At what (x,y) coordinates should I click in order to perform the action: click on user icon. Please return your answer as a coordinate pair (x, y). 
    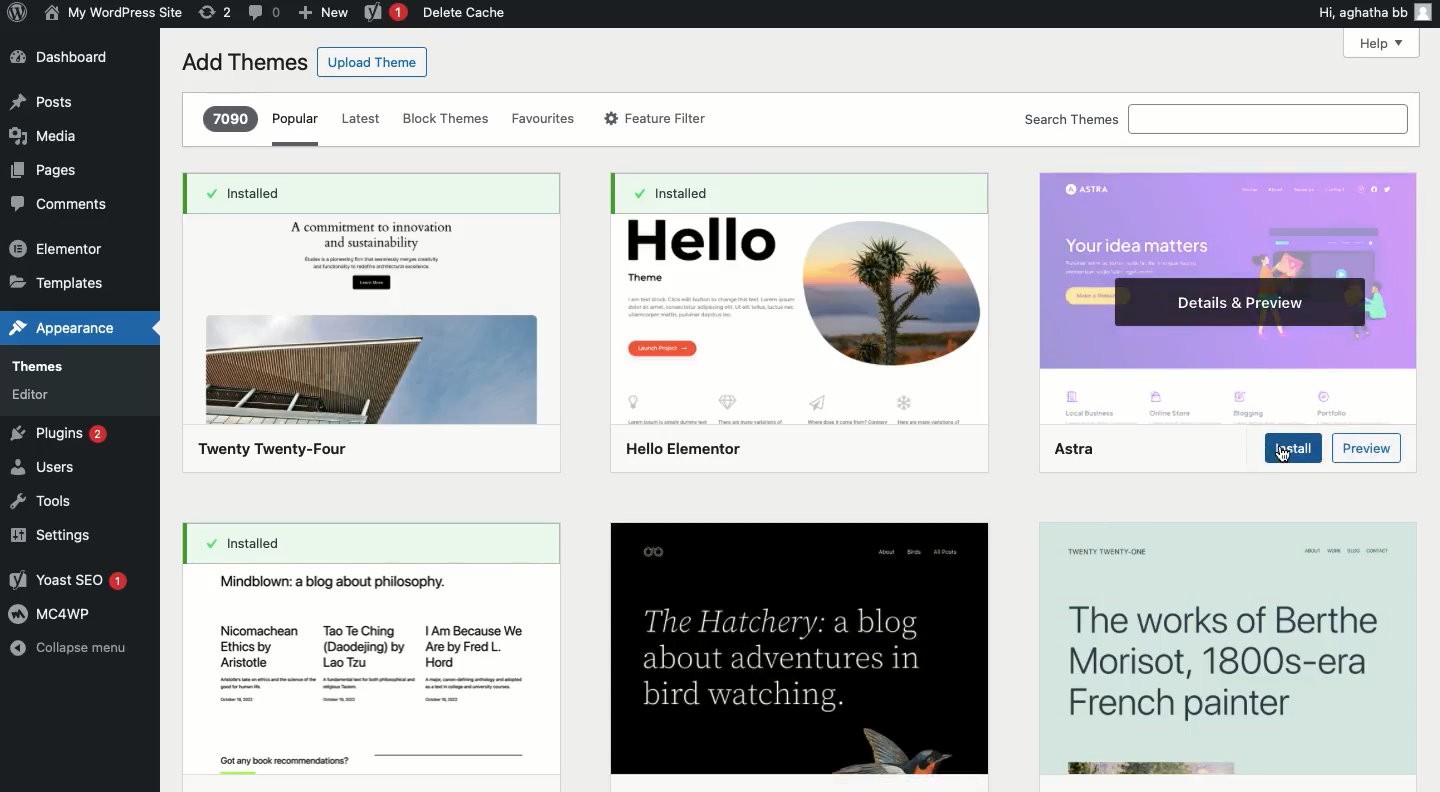
    Looking at the image, I should click on (1427, 12).